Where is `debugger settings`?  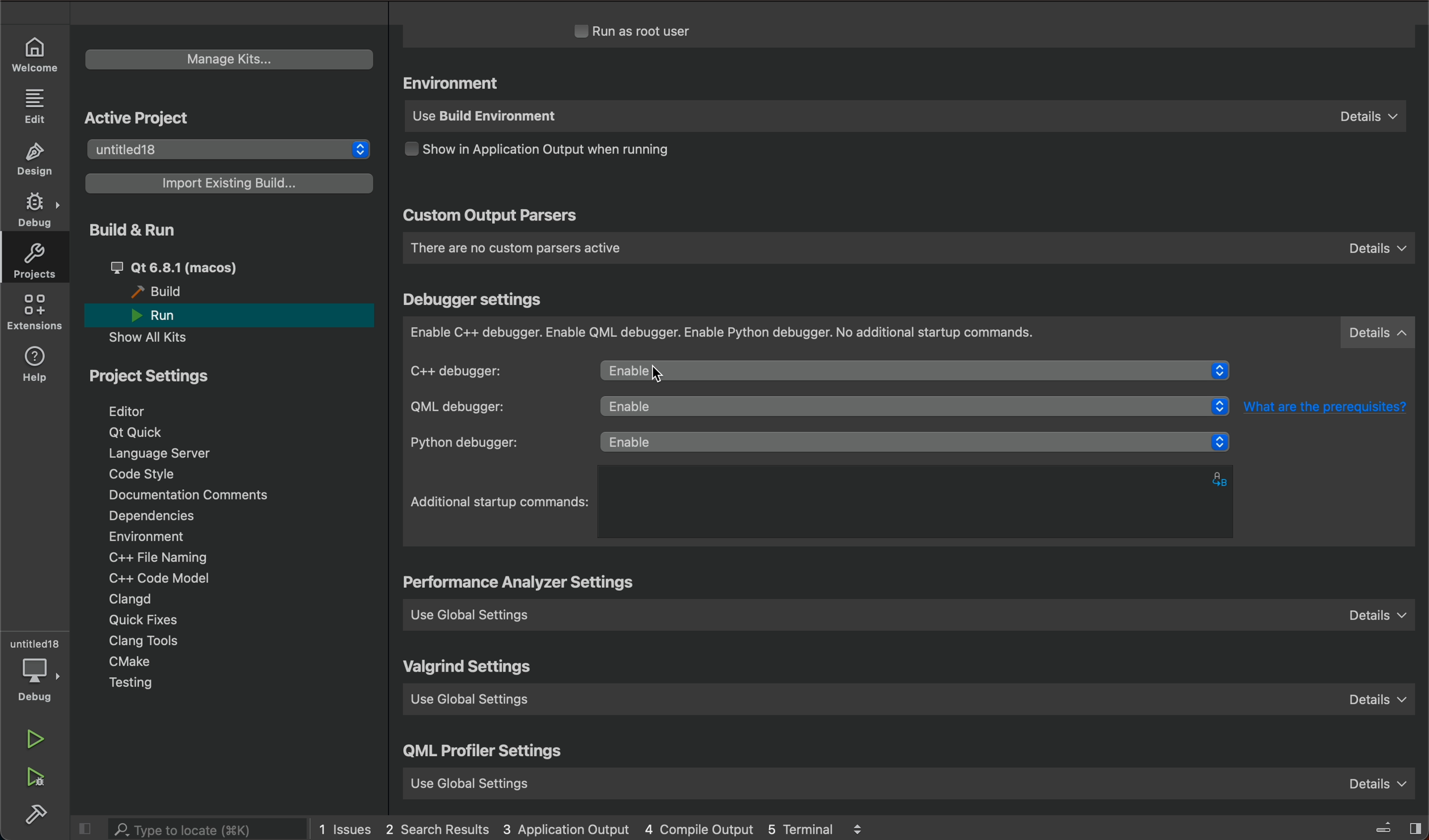 debugger settings is located at coordinates (475, 300).